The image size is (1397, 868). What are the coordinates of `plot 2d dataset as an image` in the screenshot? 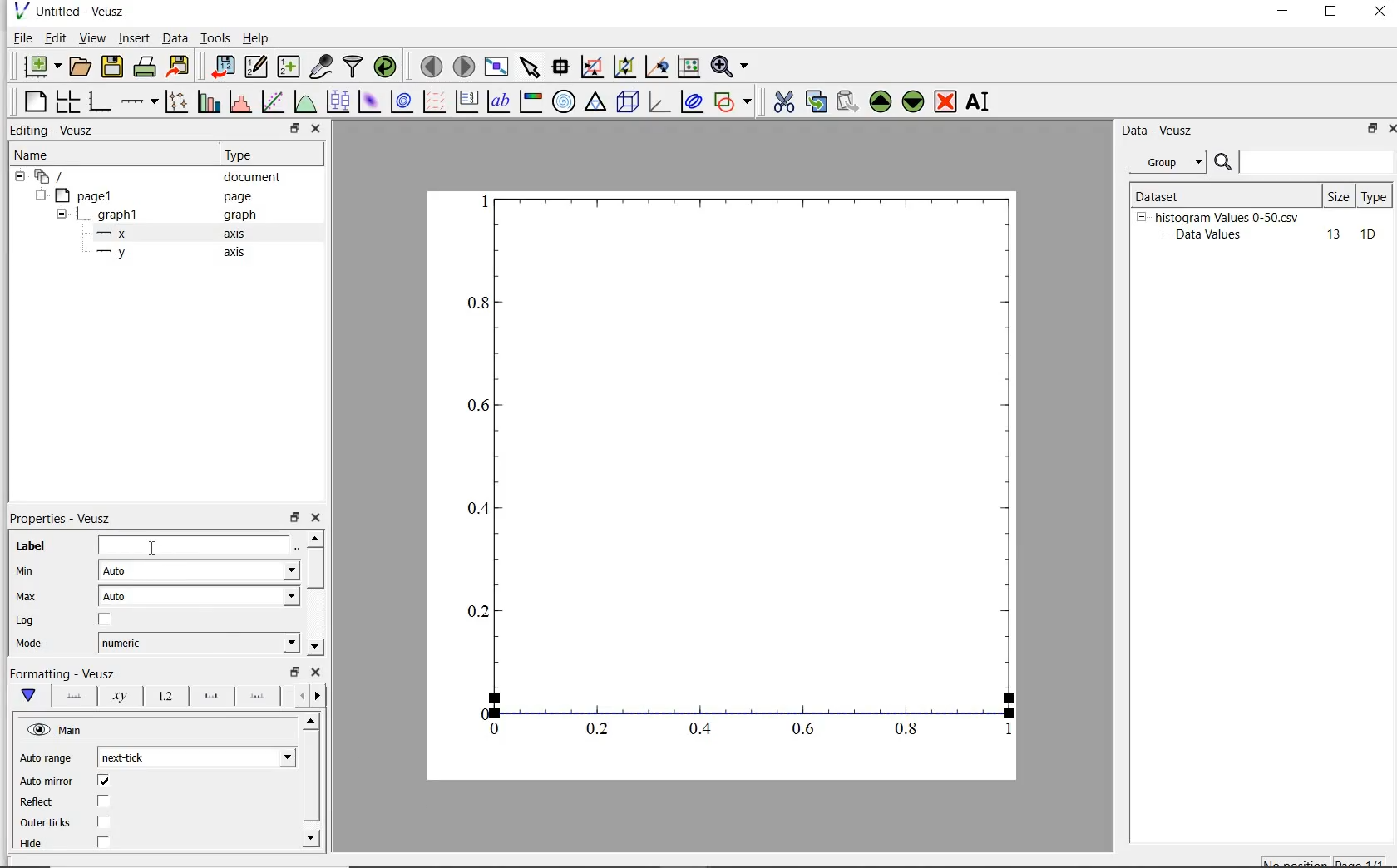 It's located at (369, 101).